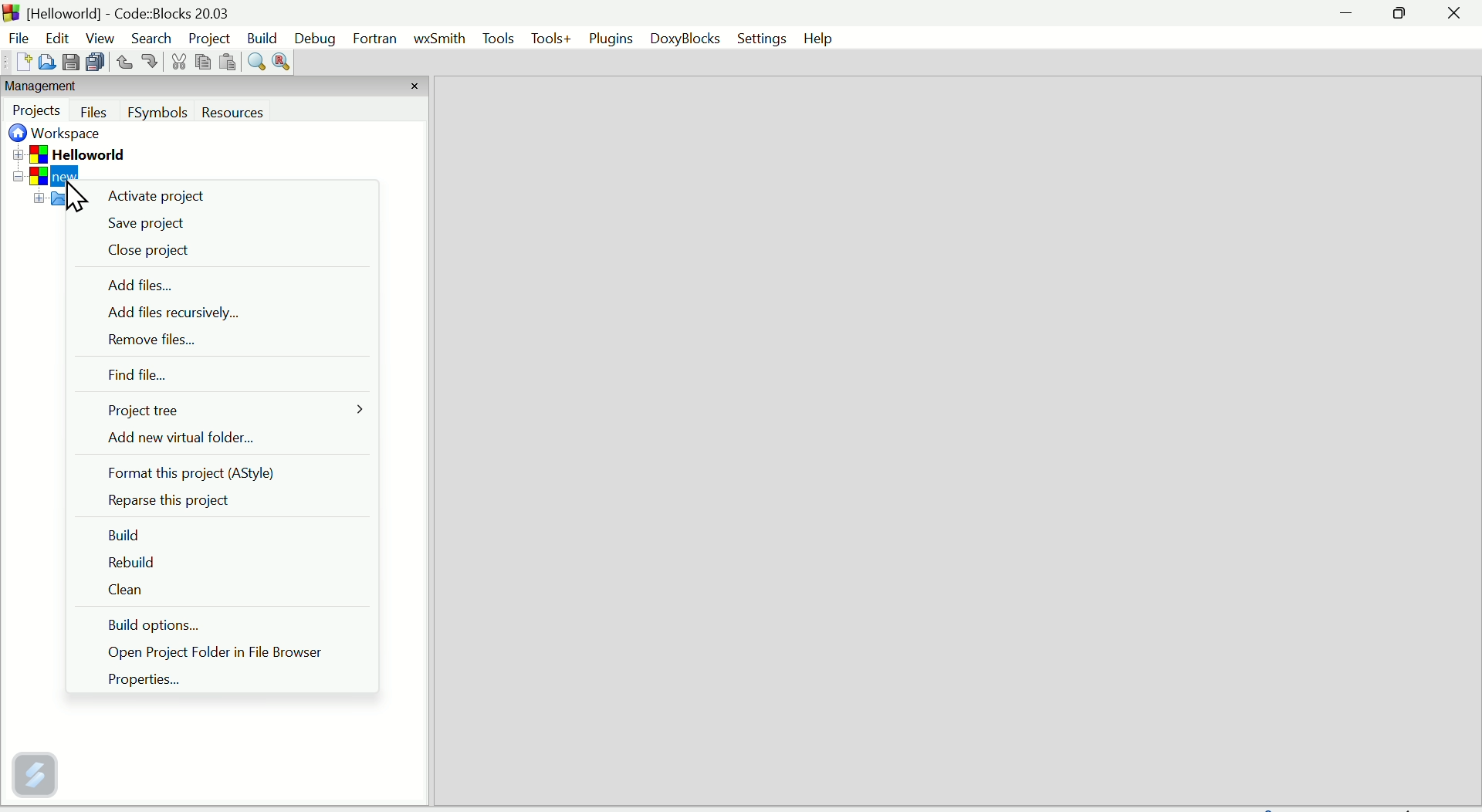  I want to click on Replace, so click(281, 62).